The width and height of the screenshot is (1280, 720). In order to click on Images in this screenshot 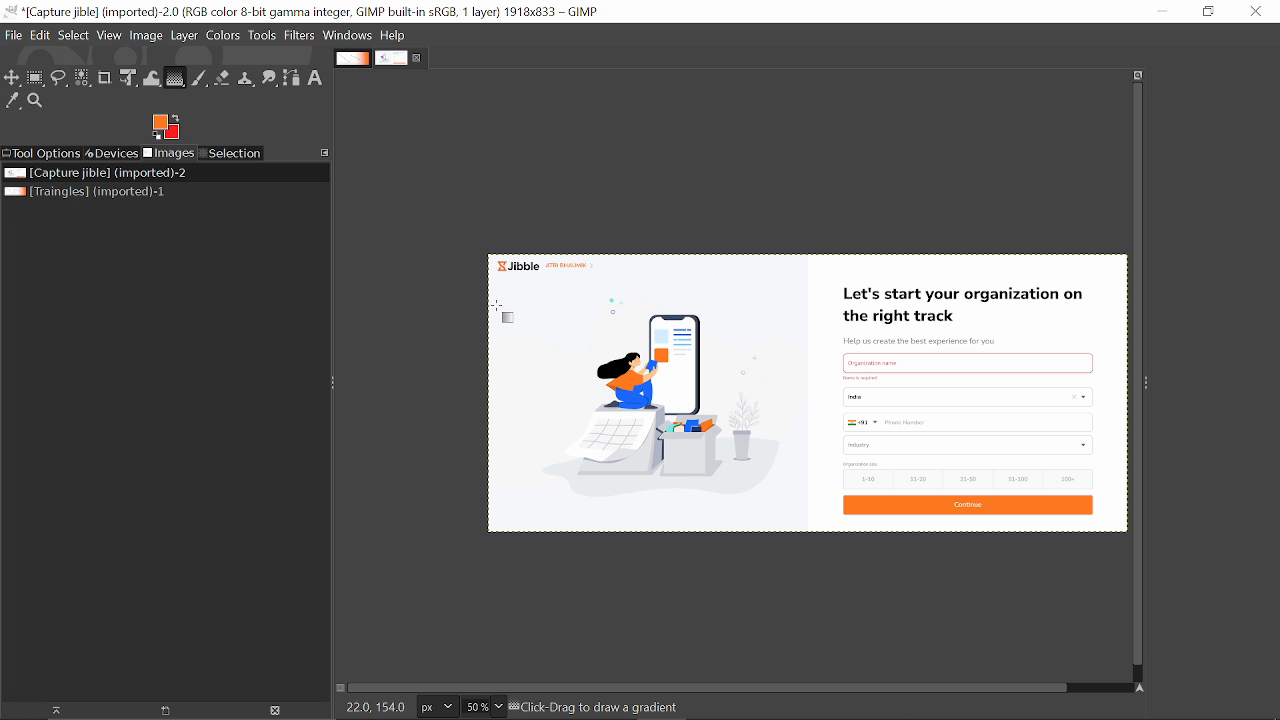, I will do `click(170, 153)`.